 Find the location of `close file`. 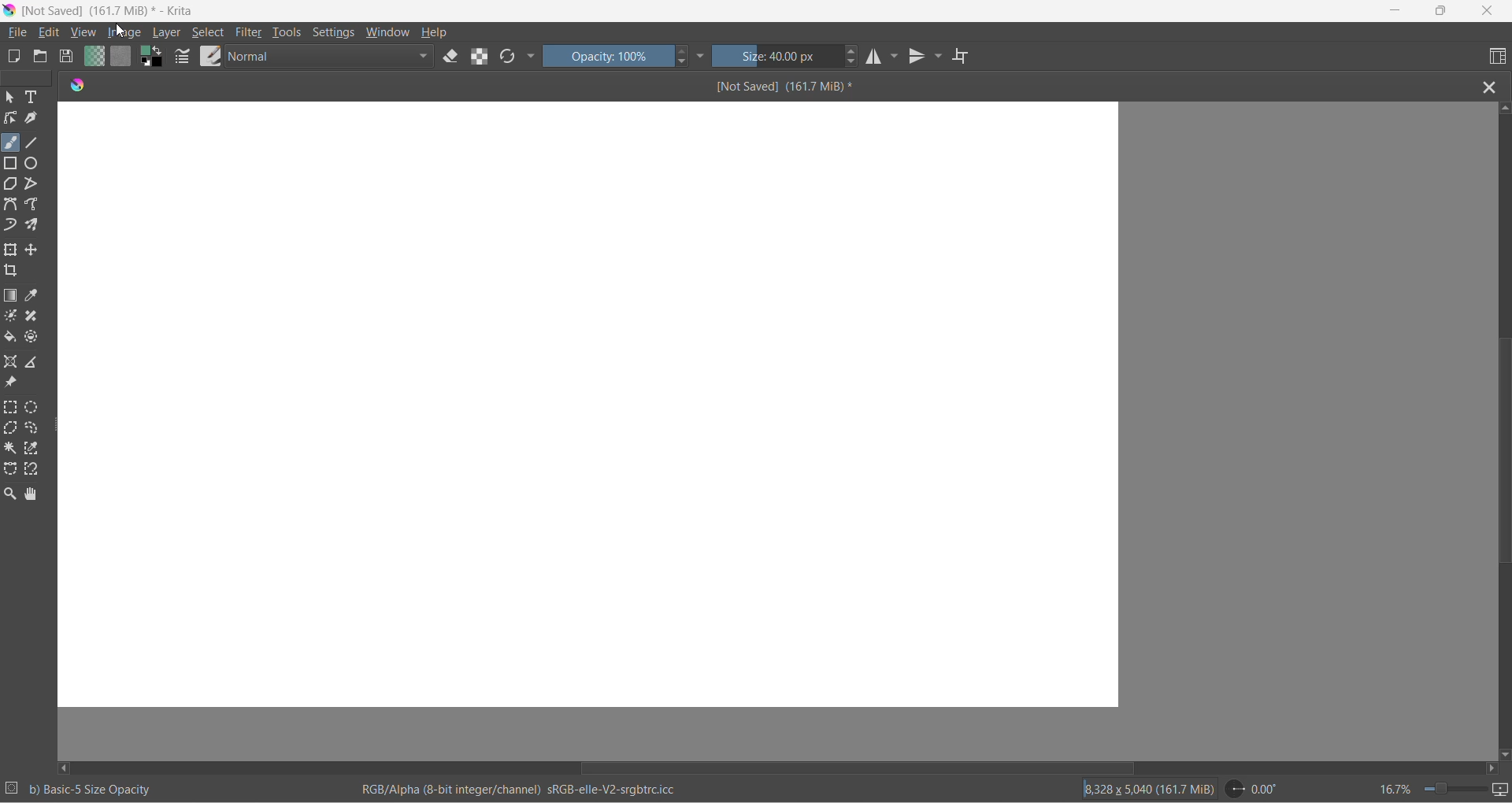

close file is located at coordinates (1494, 86).